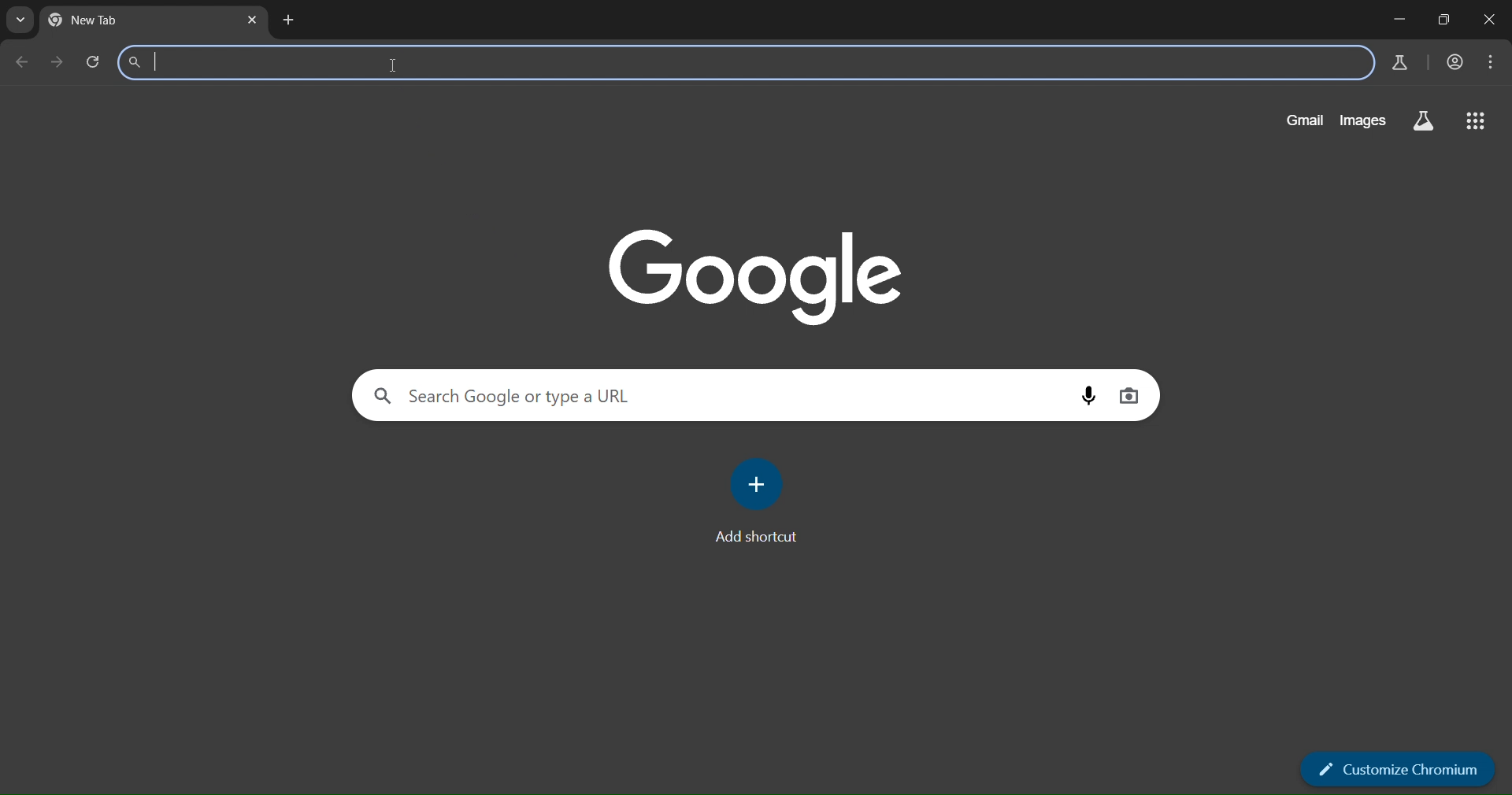  Describe the element at coordinates (740, 63) in the screenshot. I see `Search Google or type a URL` at that location.